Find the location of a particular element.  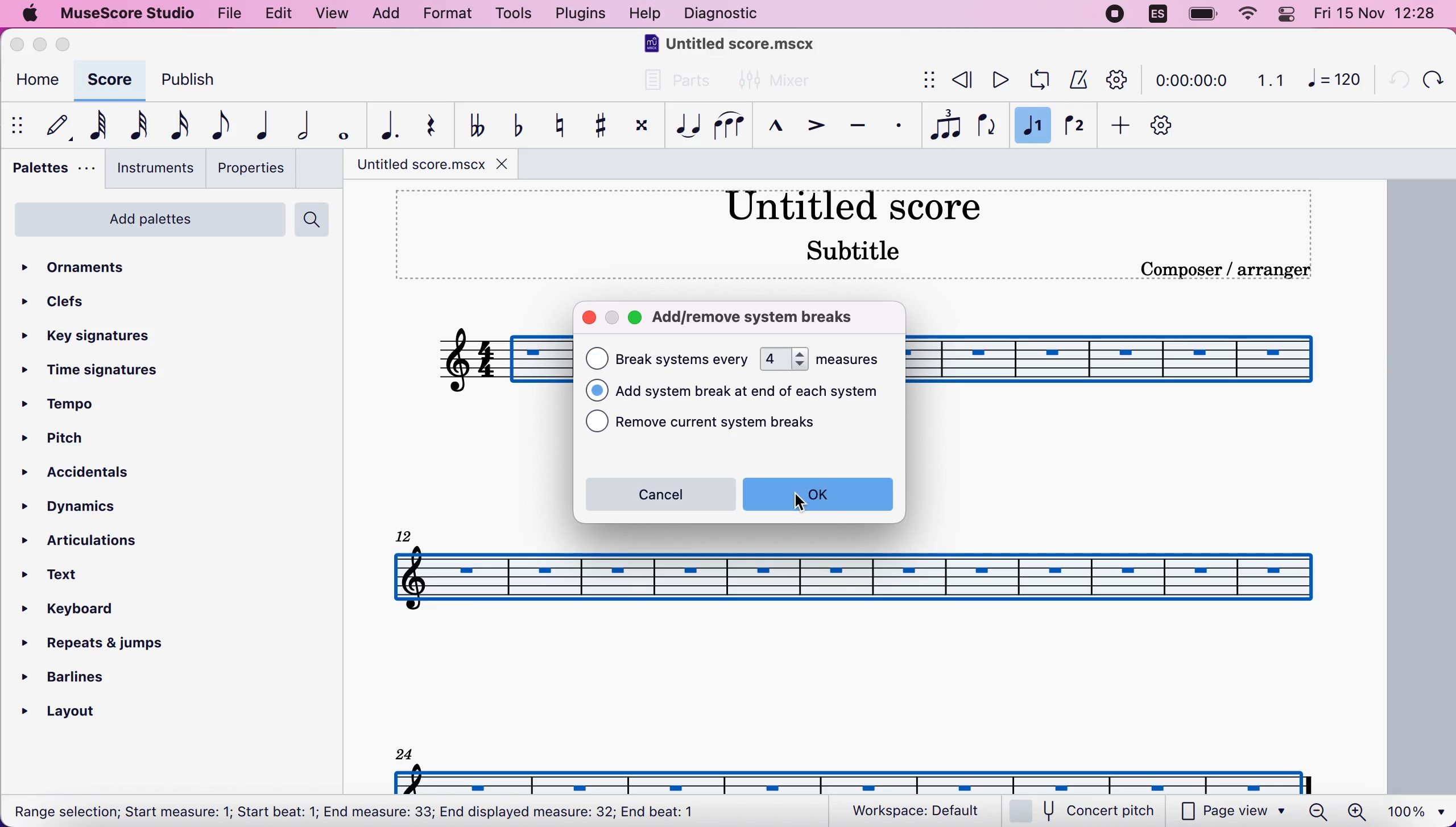

show/hide is located at coordinates (926, 81).